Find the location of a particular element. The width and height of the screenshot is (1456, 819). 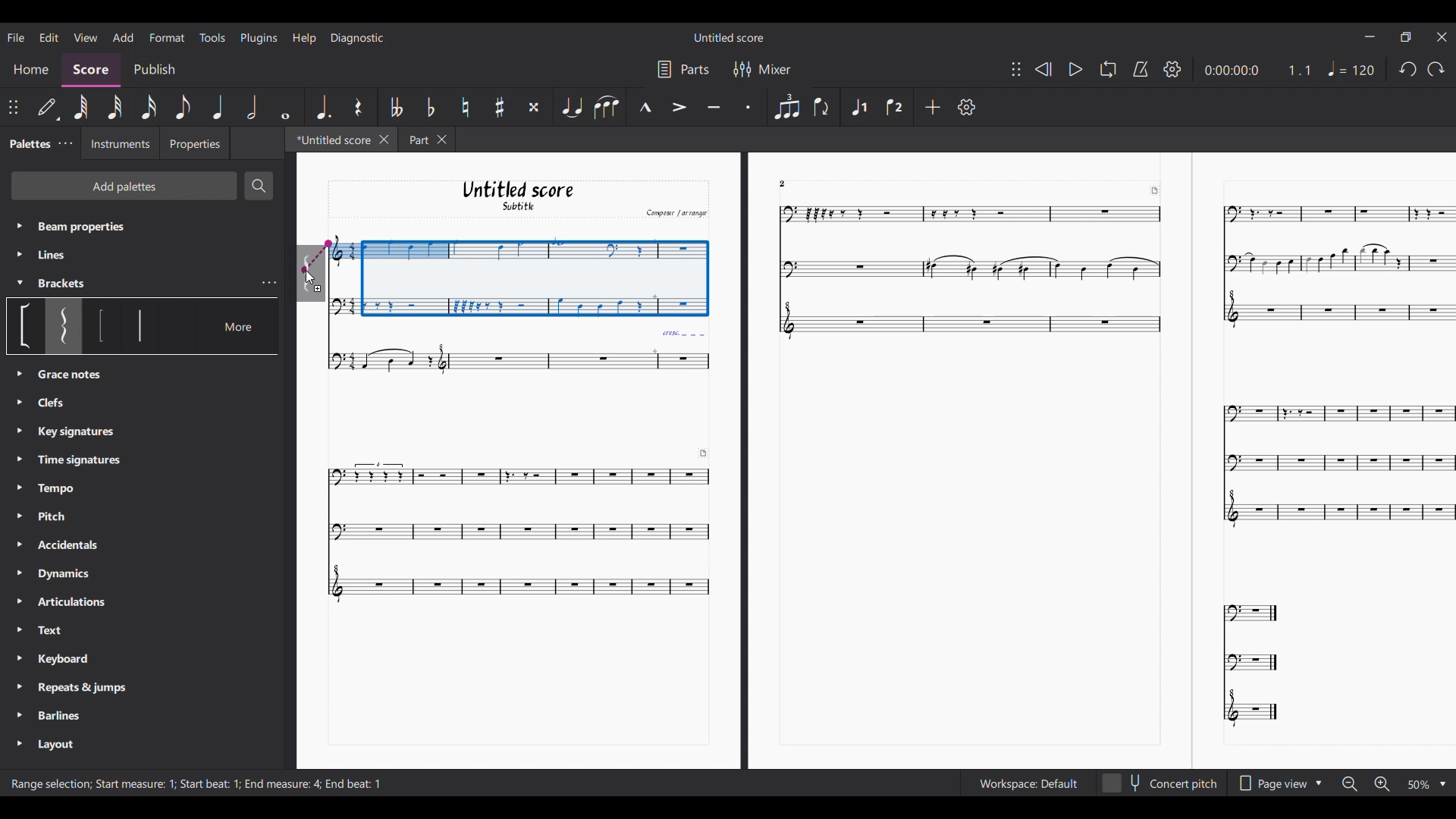

Maximize is located at coordinates (1406, 39).